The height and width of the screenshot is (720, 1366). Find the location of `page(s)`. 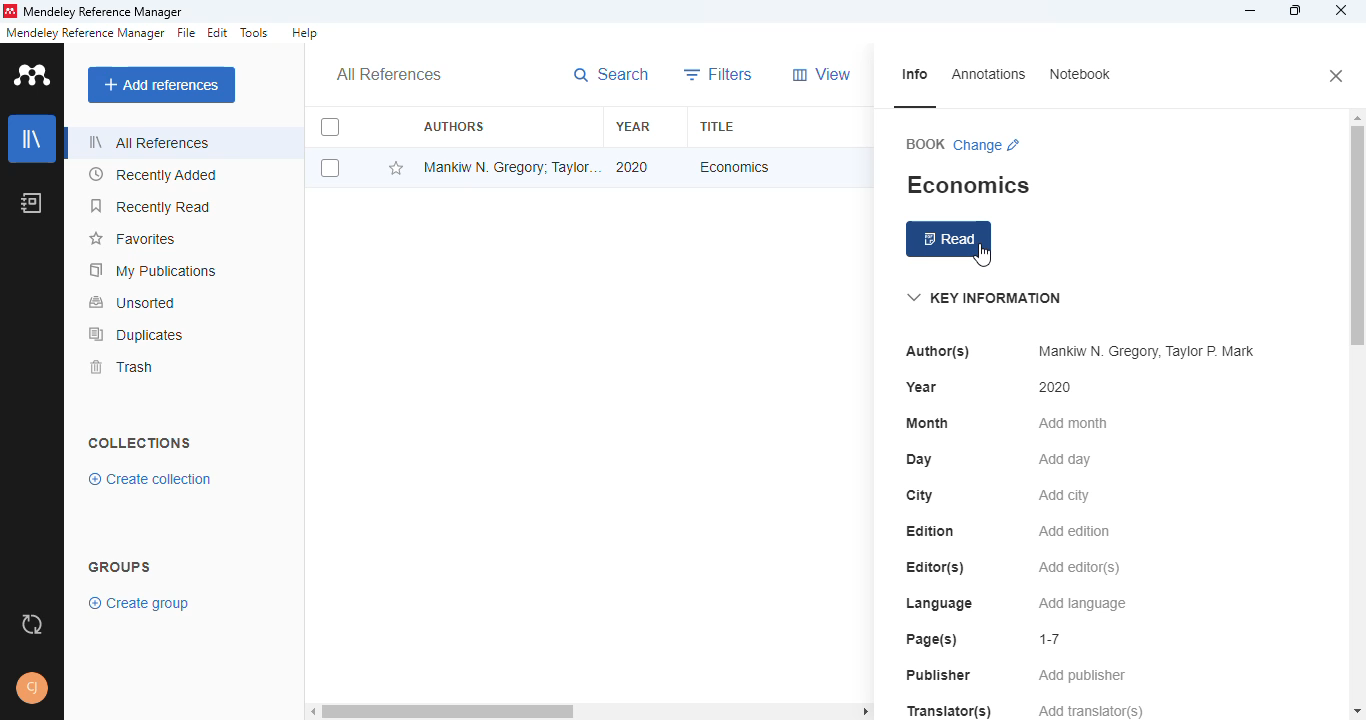

page(s) is located at coordinates (931, 641).